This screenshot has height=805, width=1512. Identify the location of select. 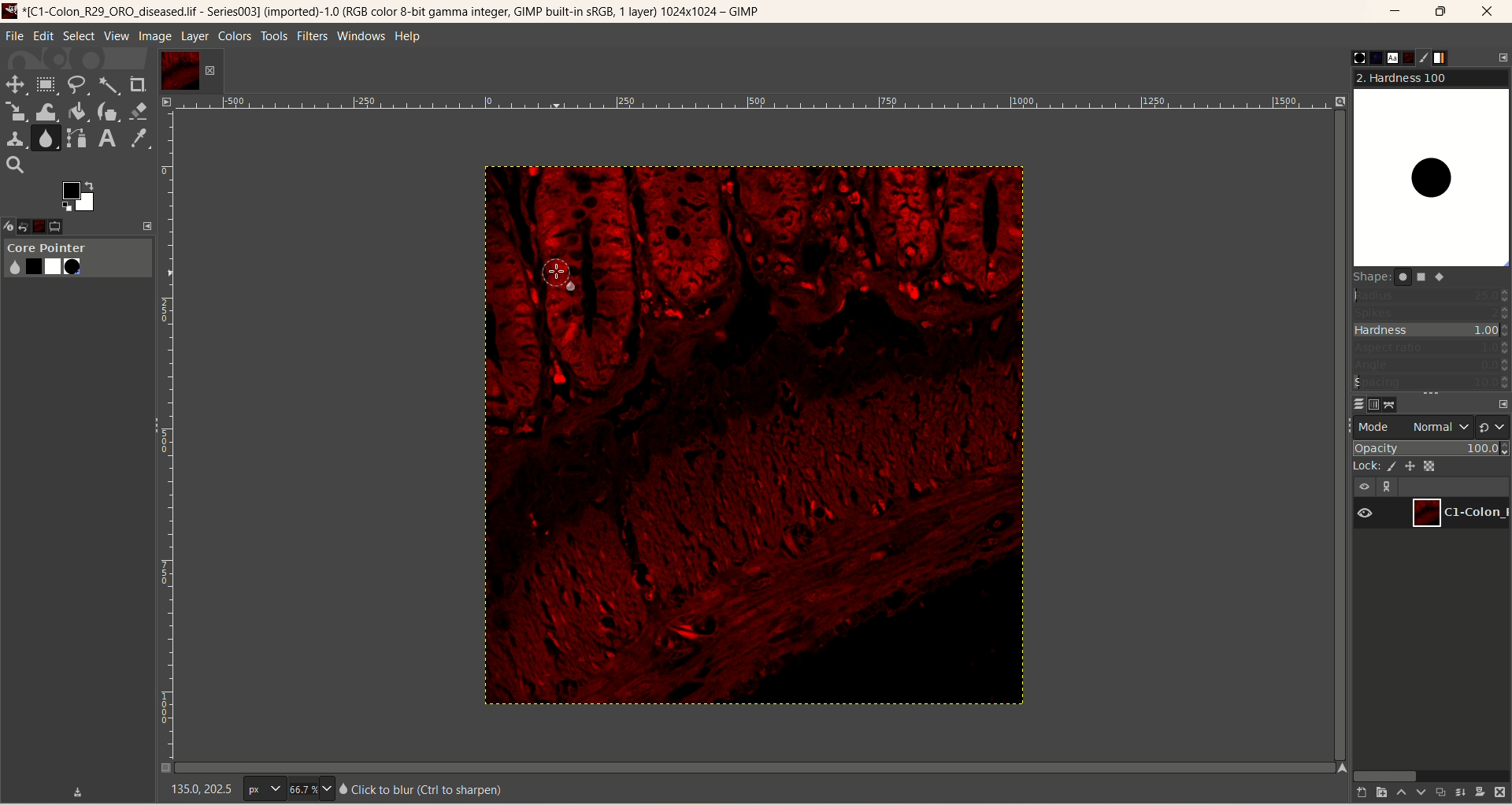
(79, 36).